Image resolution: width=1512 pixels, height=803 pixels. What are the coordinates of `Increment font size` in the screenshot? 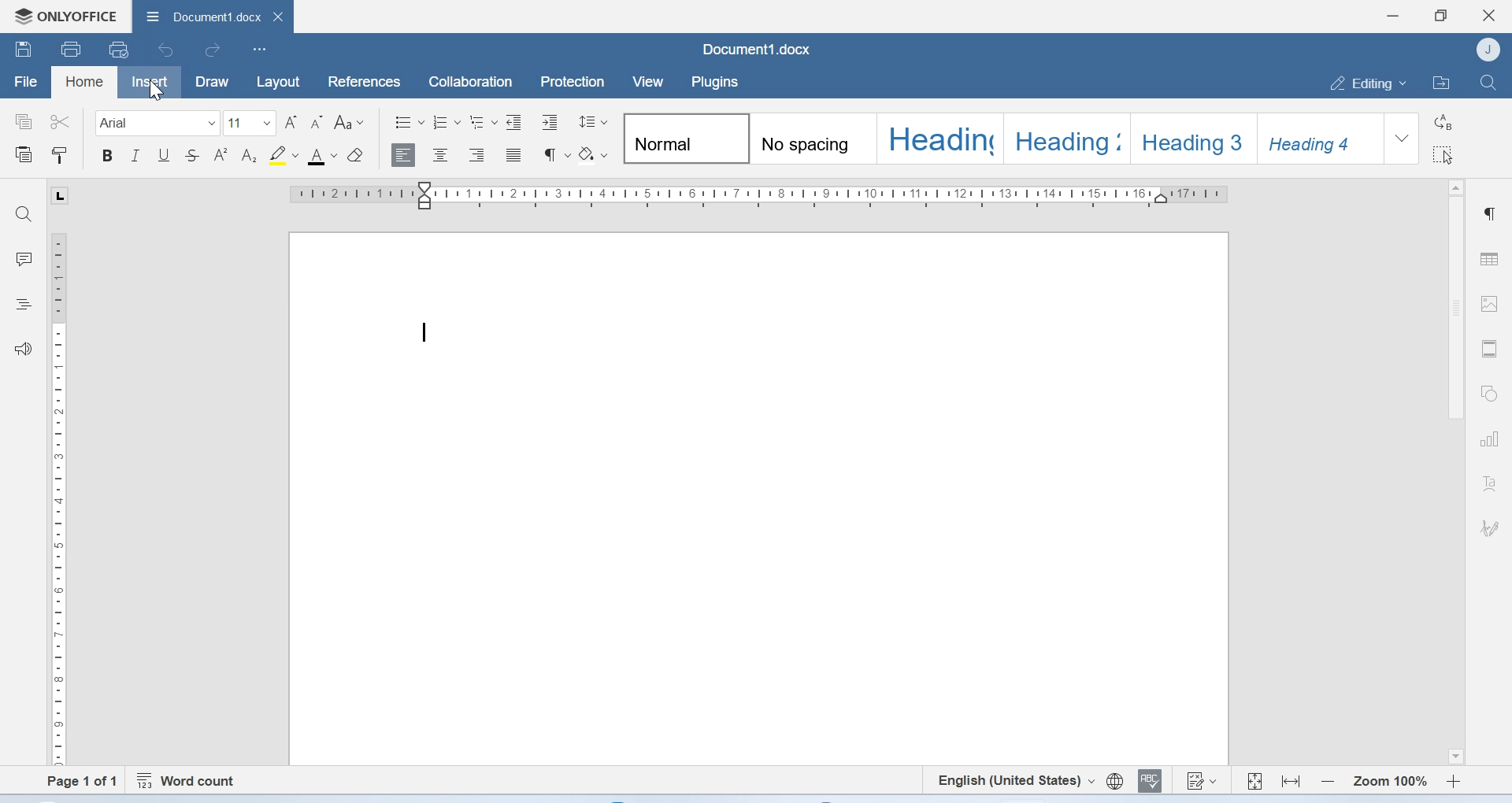 It's located at (292, 123).